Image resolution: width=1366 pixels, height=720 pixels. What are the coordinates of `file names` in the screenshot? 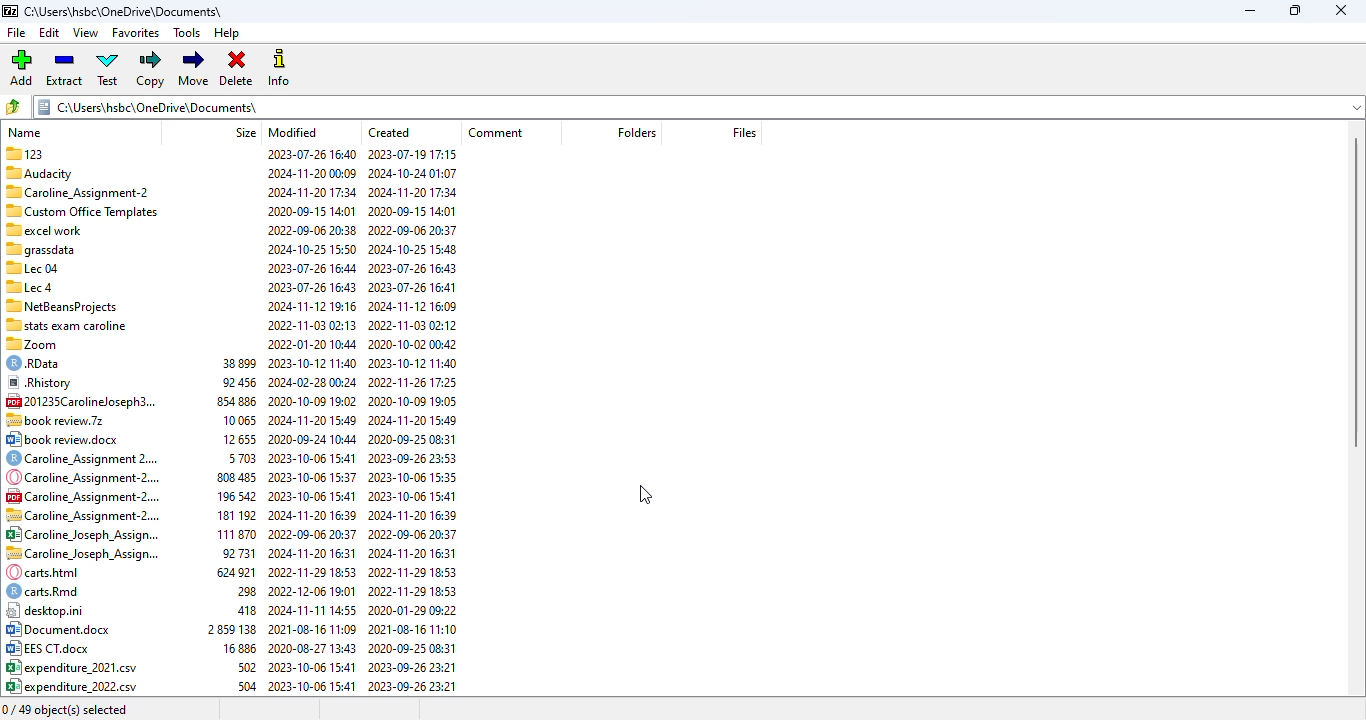 It's located at (81, 564).